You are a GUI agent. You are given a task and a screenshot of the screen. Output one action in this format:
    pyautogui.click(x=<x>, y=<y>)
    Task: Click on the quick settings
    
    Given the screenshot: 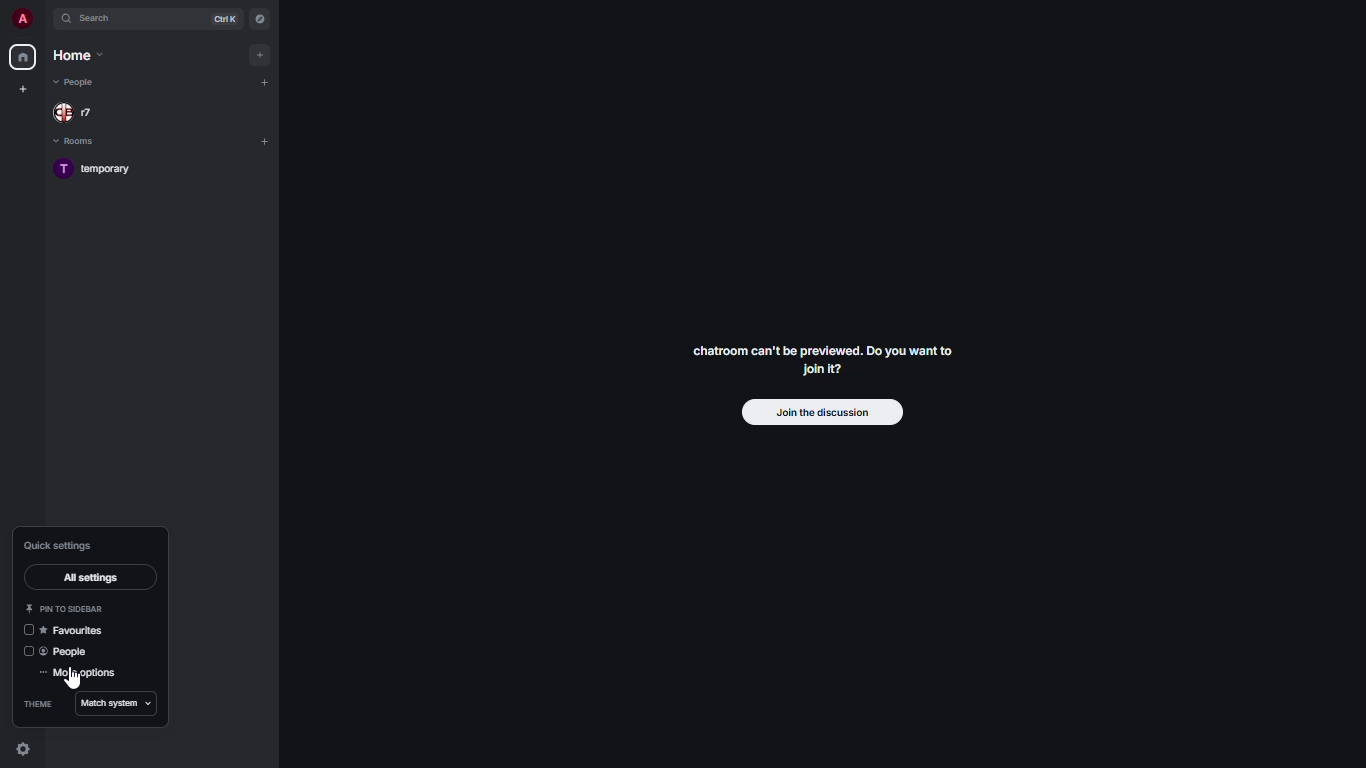 What is the action you would take?
    pyautogui.click(x=60, y=546)
    